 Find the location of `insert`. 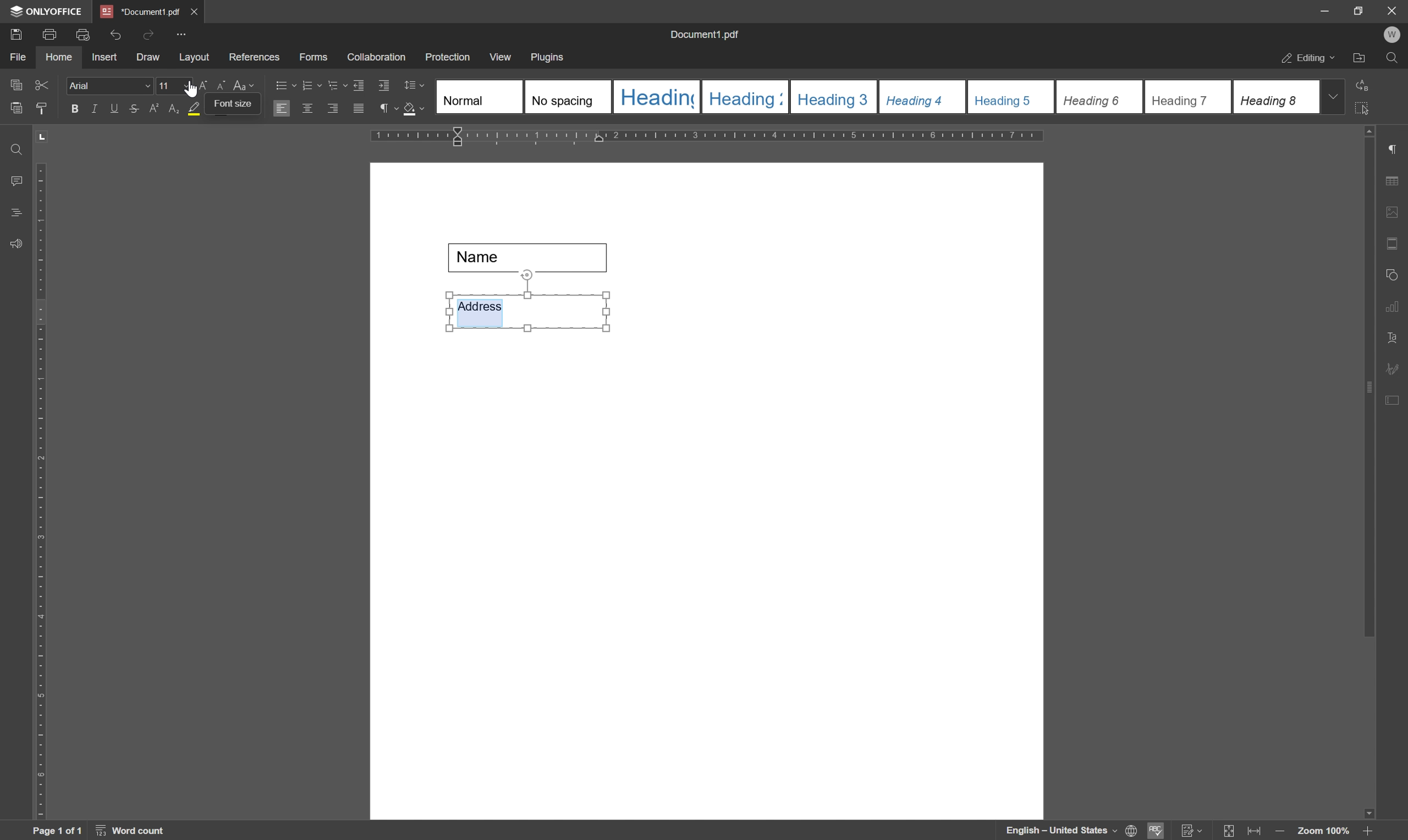

insert is located at coordinates (104, 58).